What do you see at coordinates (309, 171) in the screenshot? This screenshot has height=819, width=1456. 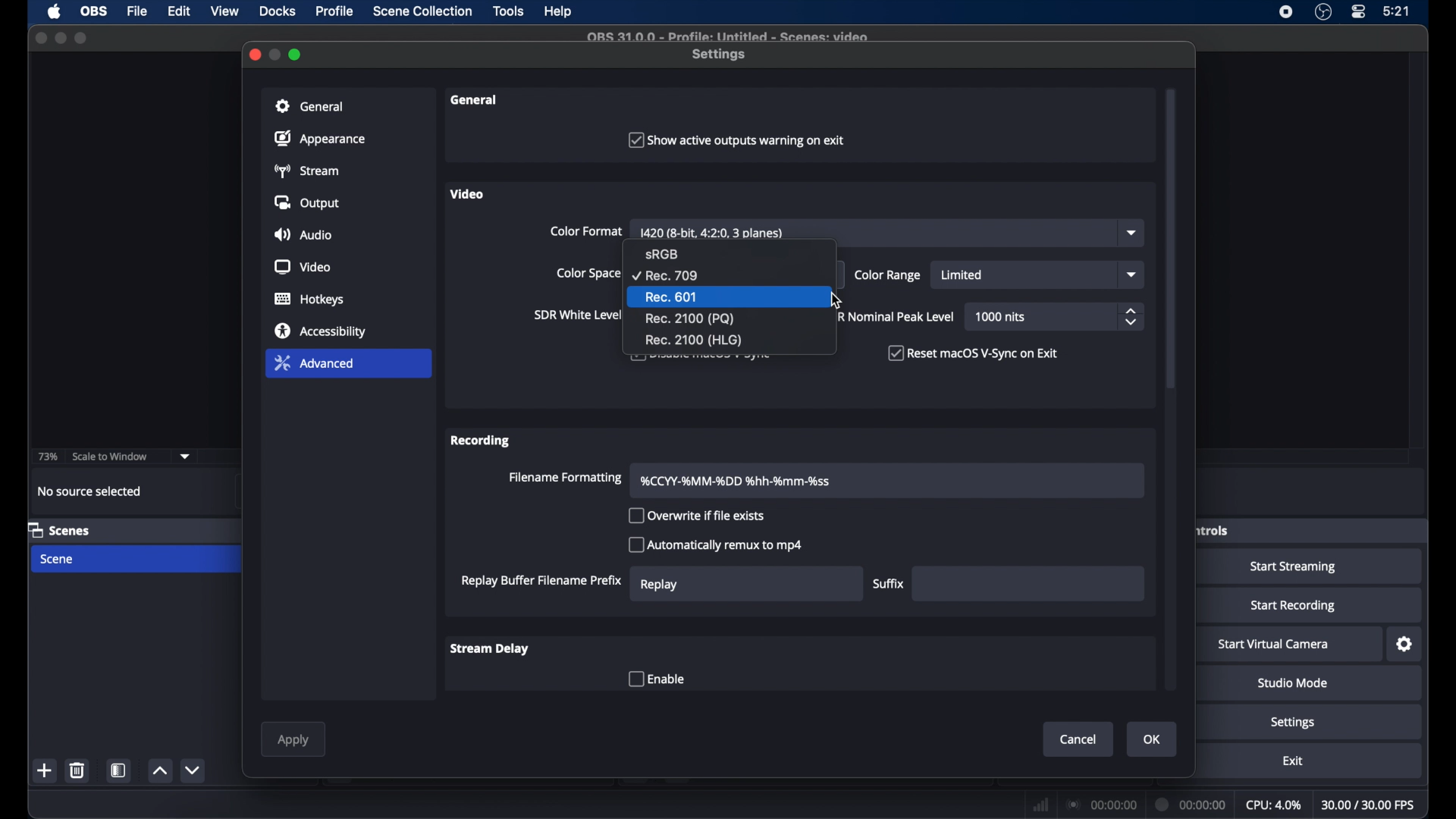 I see `stream` at bounding box center [309, 171].